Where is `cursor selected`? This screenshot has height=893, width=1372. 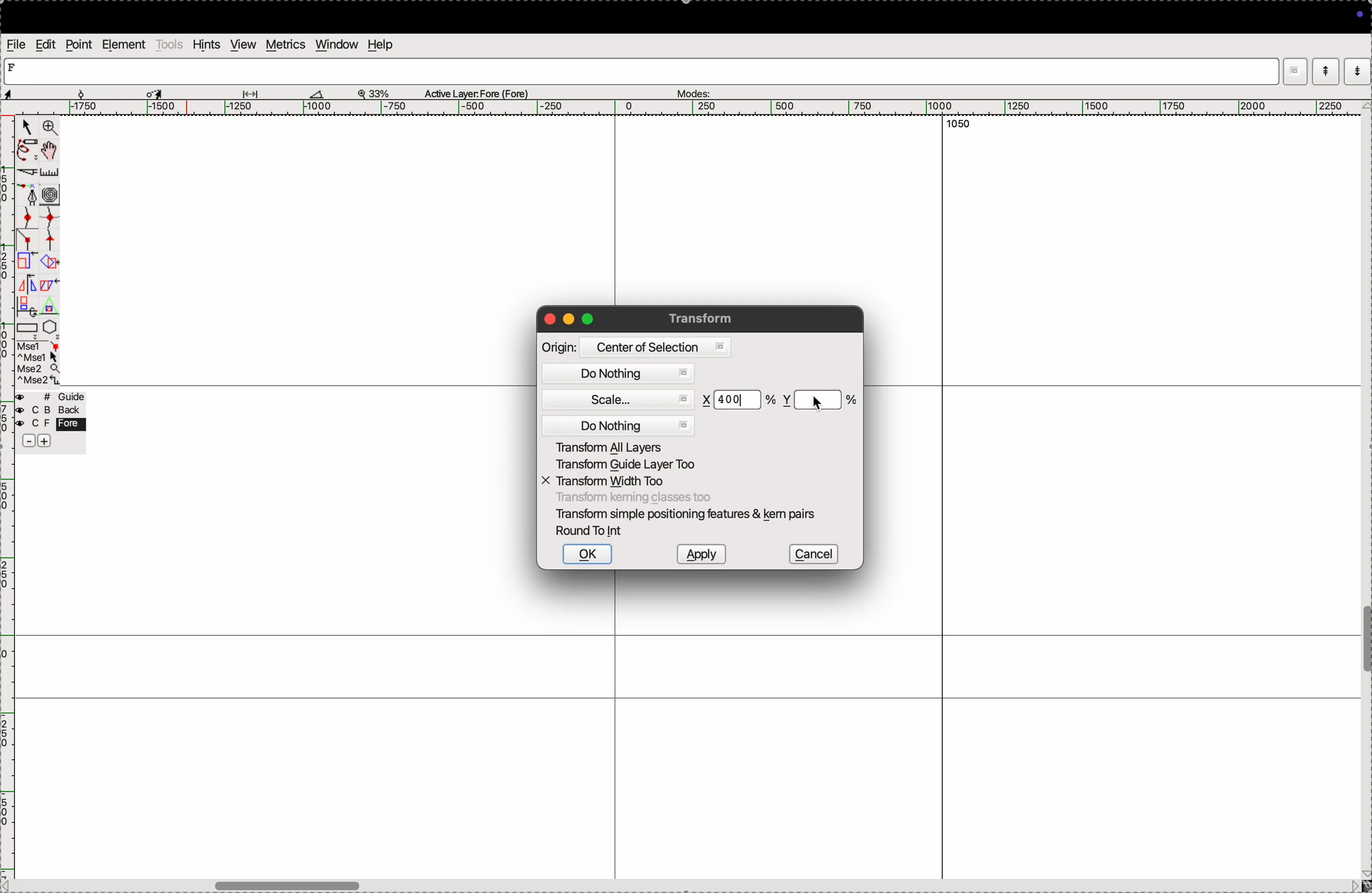
cursor selected is located at coordinates (156, 92).